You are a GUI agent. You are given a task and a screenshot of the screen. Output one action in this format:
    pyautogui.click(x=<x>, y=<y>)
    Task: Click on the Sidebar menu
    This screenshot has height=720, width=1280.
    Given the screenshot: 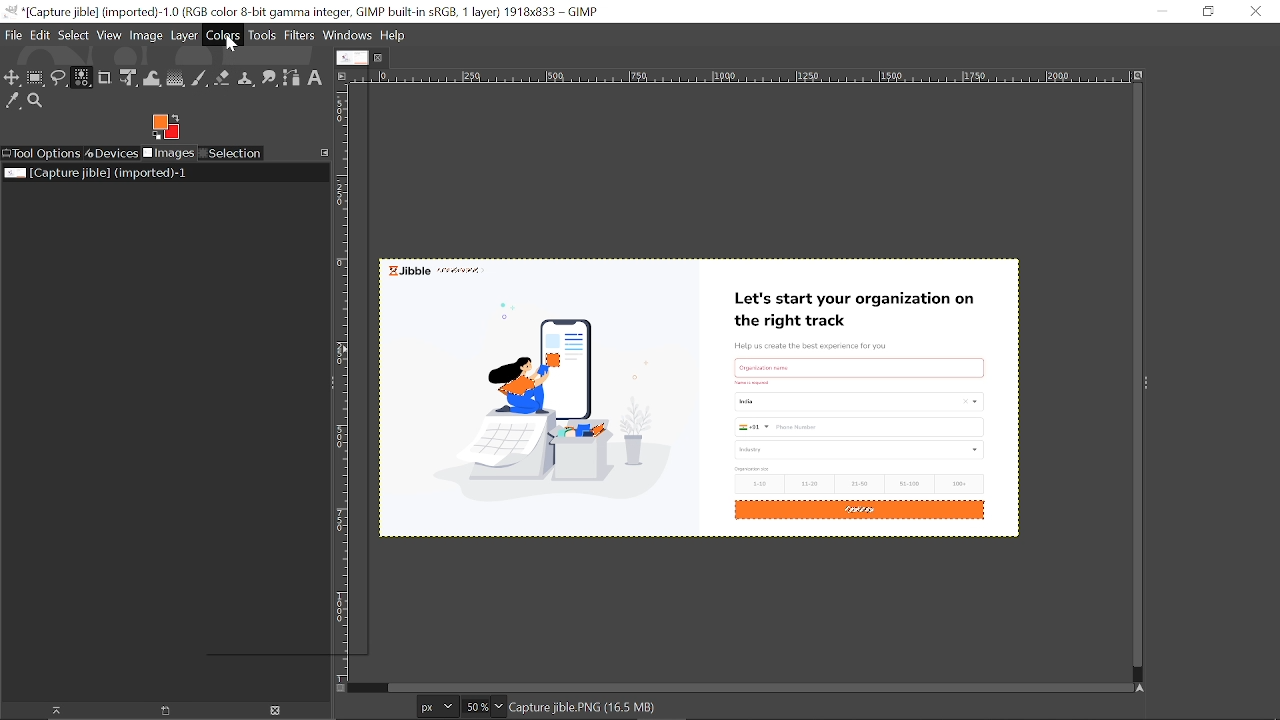 What is the action you would take?
    pyautogui.click(x=1153, y=384)
    